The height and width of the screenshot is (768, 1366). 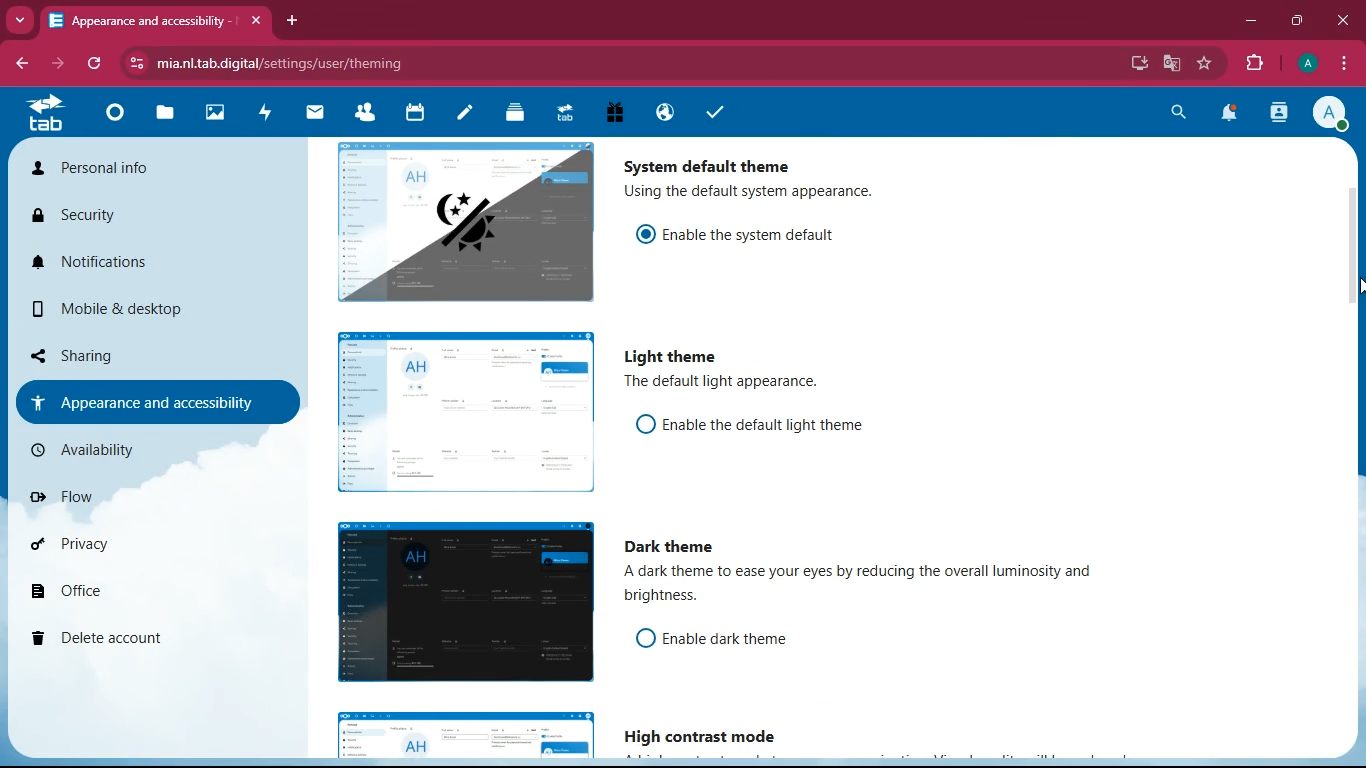 I want to click on image, so click(x=463, y=414).